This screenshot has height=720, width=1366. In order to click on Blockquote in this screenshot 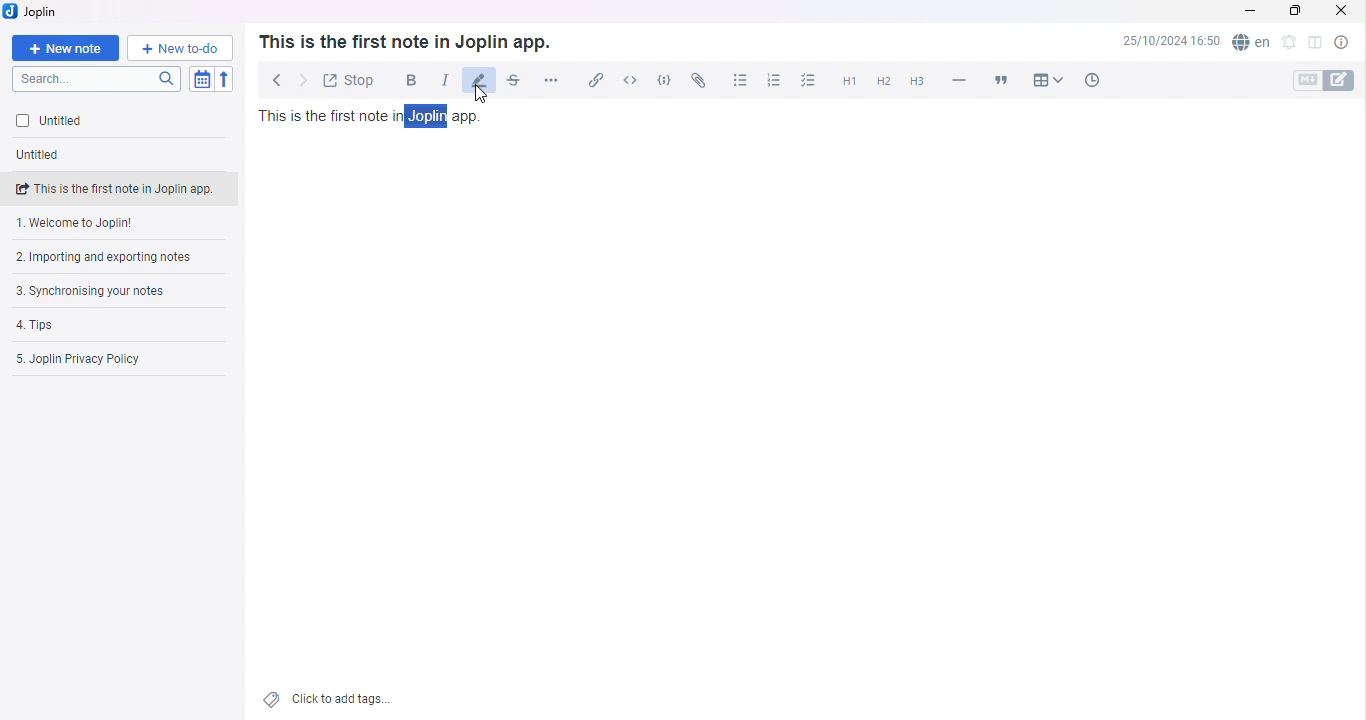, I will do `click(1004, 78)`.